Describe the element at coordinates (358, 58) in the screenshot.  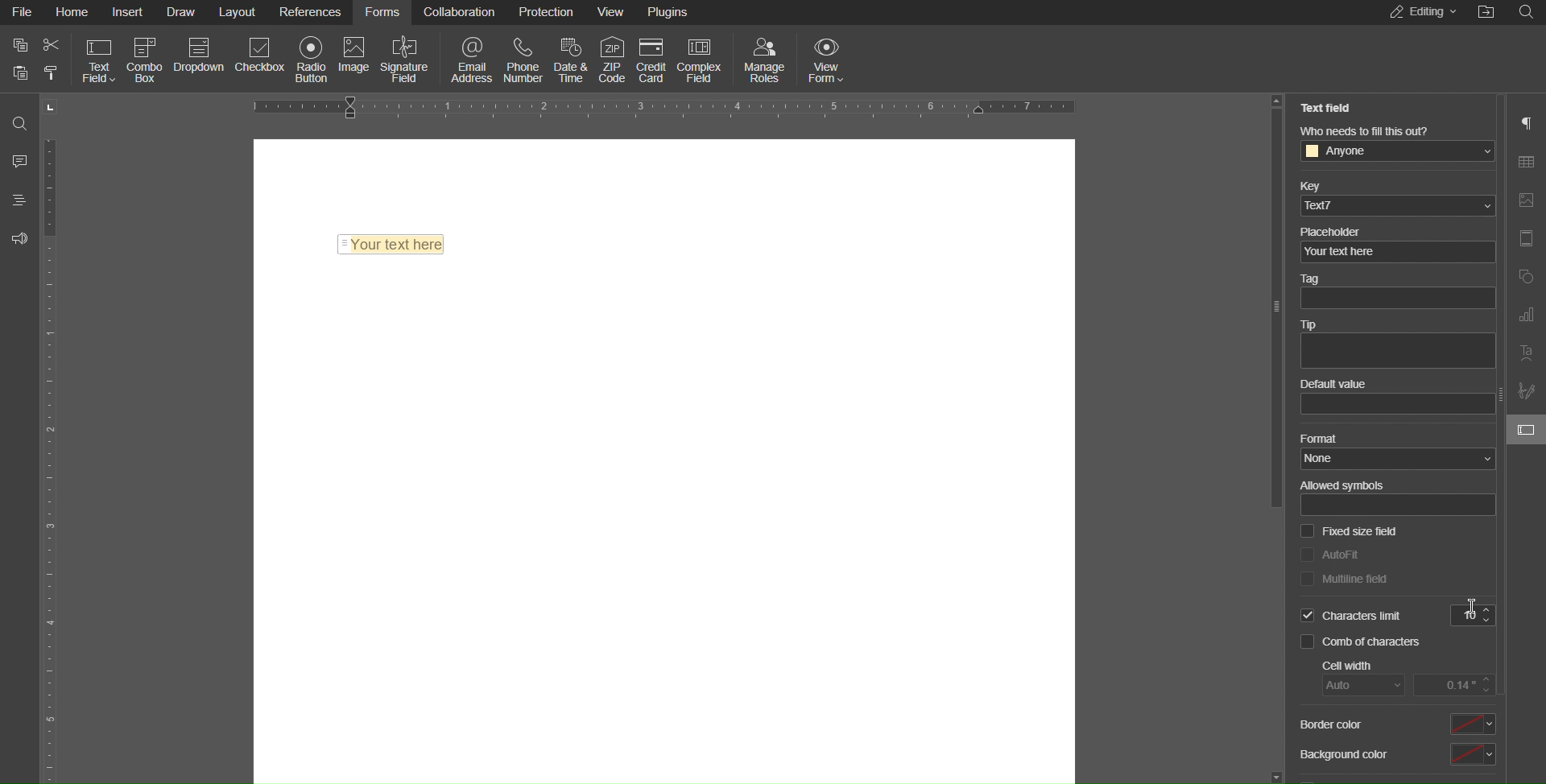
I see `Image` at that location.